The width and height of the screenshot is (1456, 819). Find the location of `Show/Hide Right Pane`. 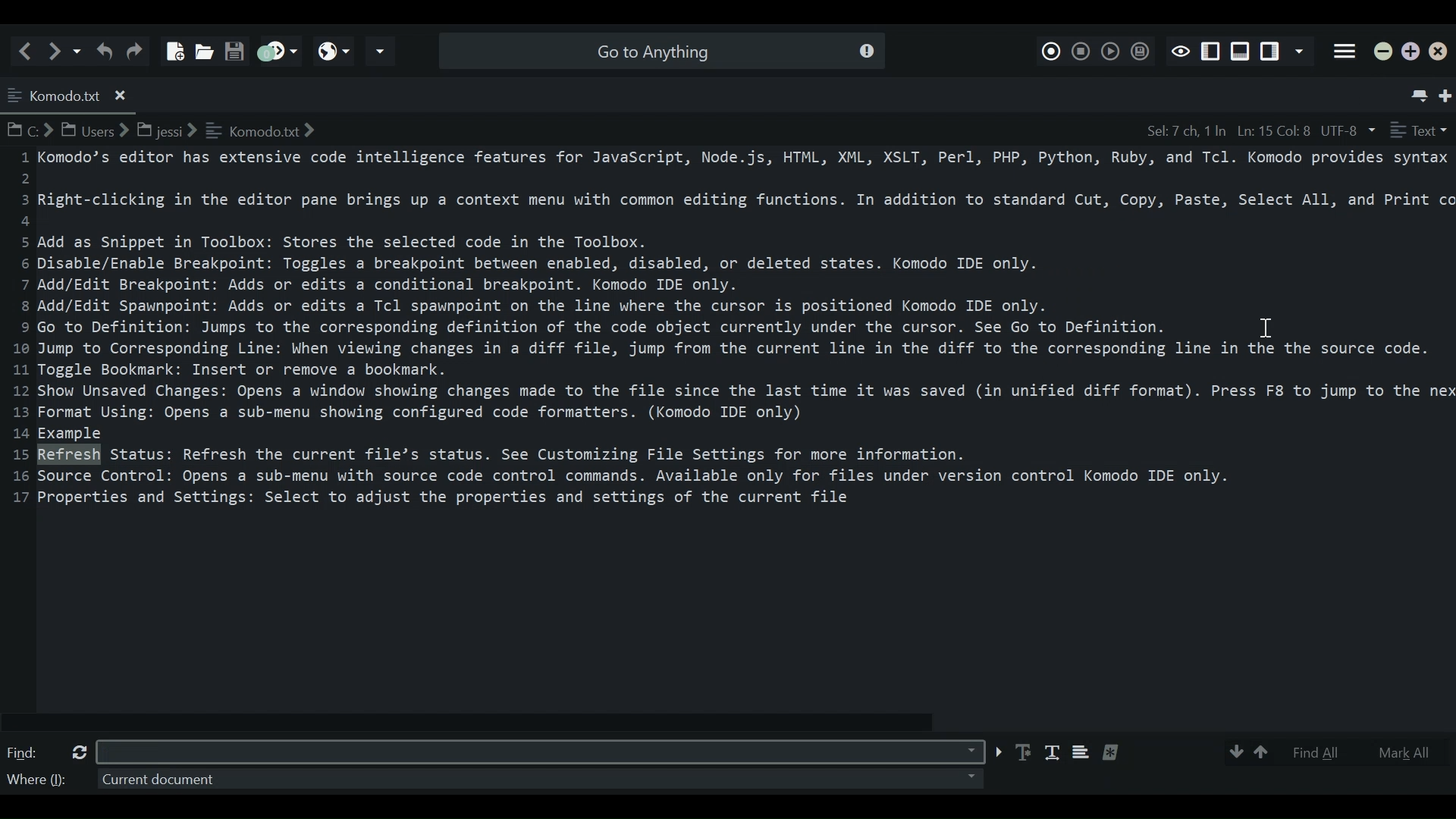

Show/Hide Right Pane is located at coordinates (1211, 52).